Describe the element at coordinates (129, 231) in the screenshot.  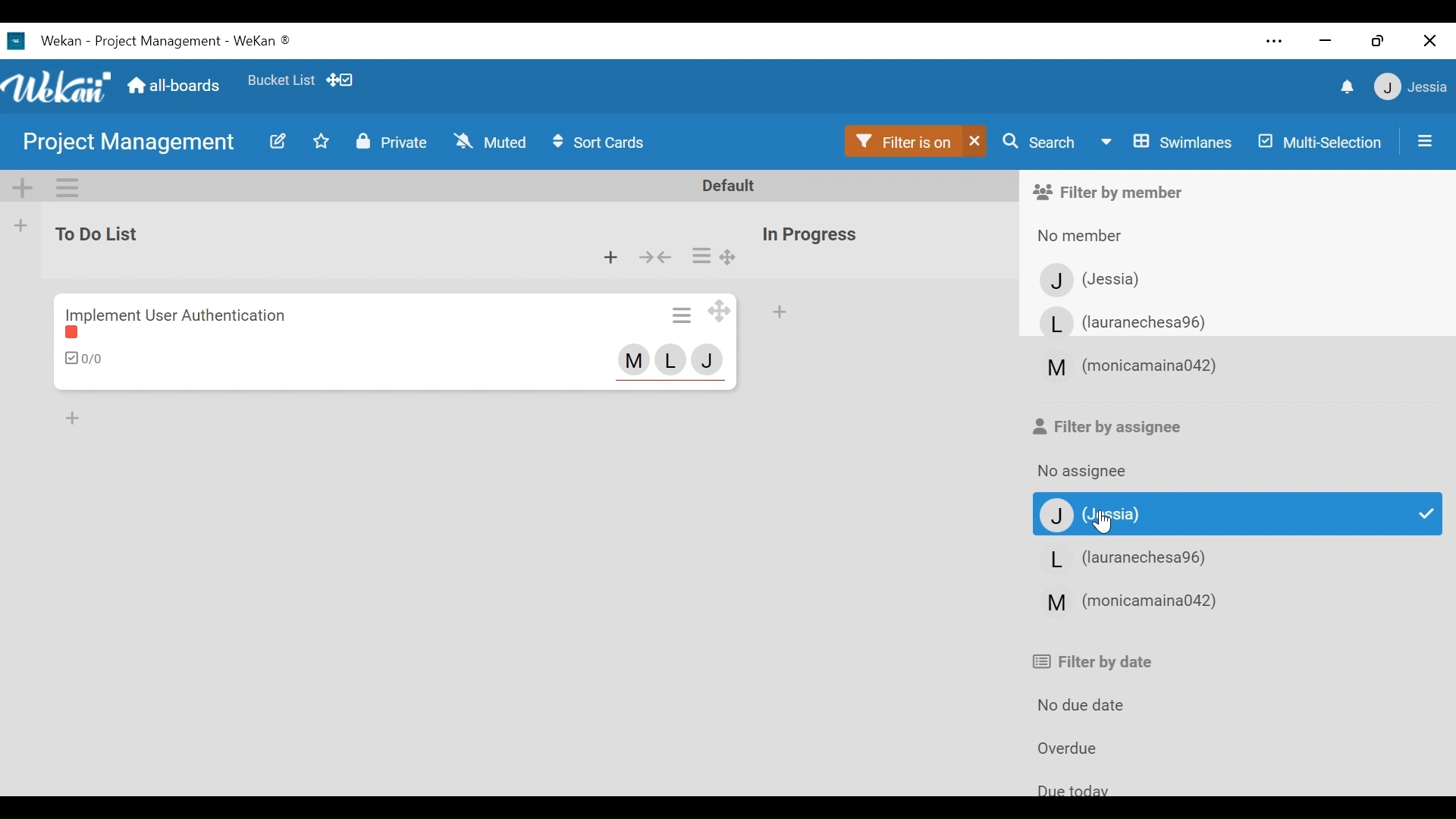
I see `to do List` at that location.